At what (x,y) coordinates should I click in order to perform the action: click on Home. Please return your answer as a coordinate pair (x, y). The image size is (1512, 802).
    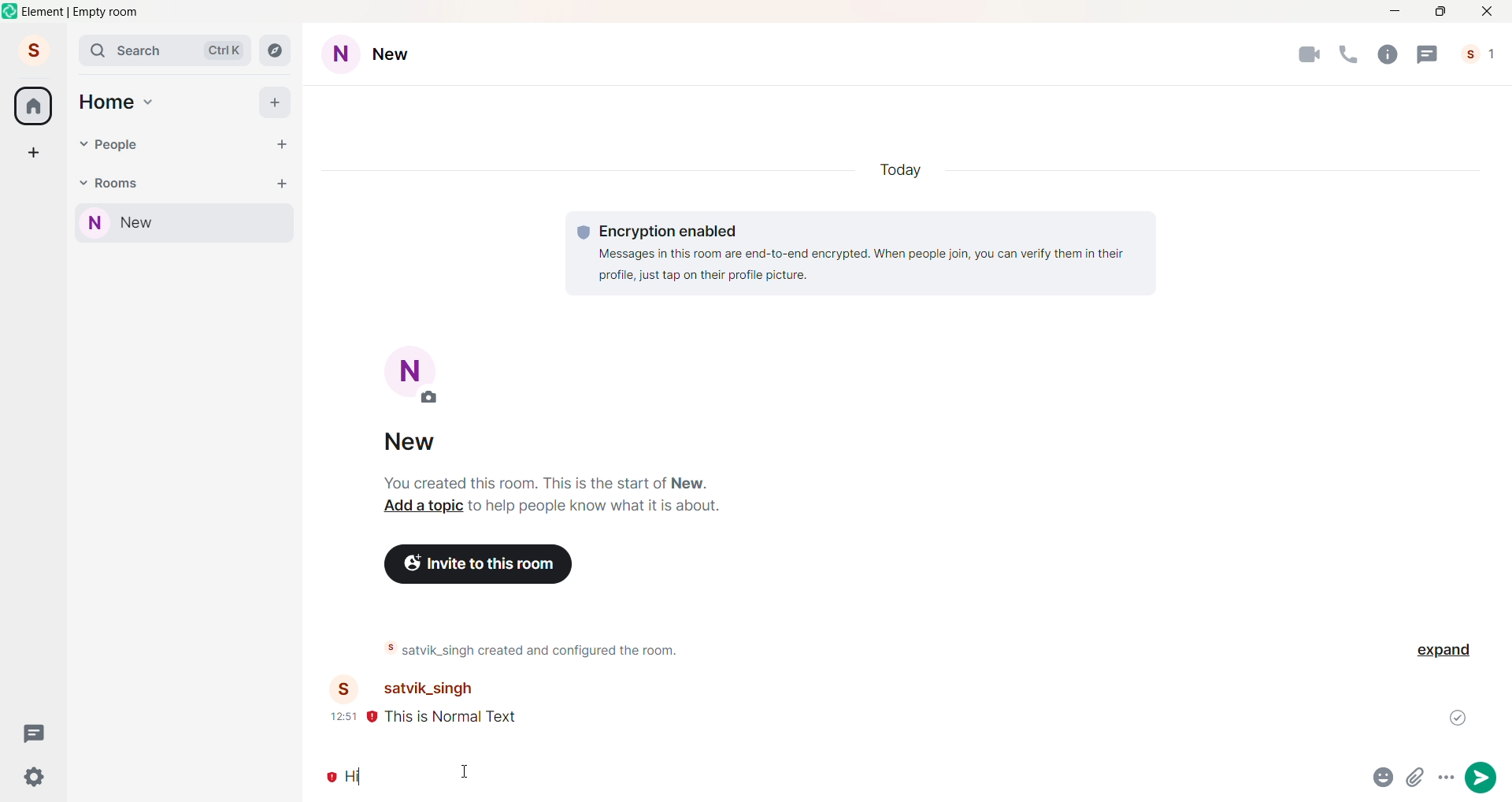
    Looking at the image, I should click on (106, 102).